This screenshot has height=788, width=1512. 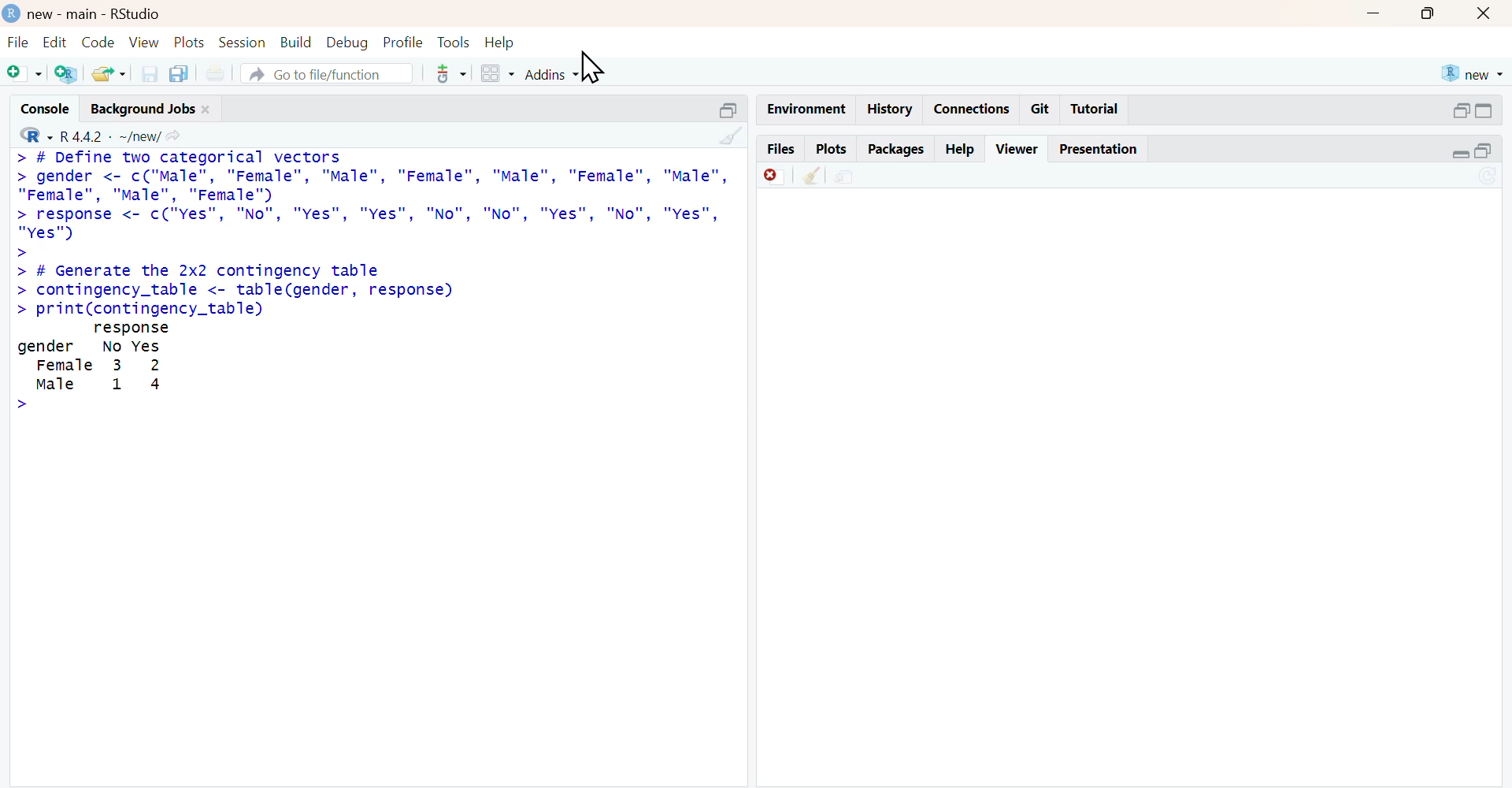 I want to click on help, so click(x=500, y=44).